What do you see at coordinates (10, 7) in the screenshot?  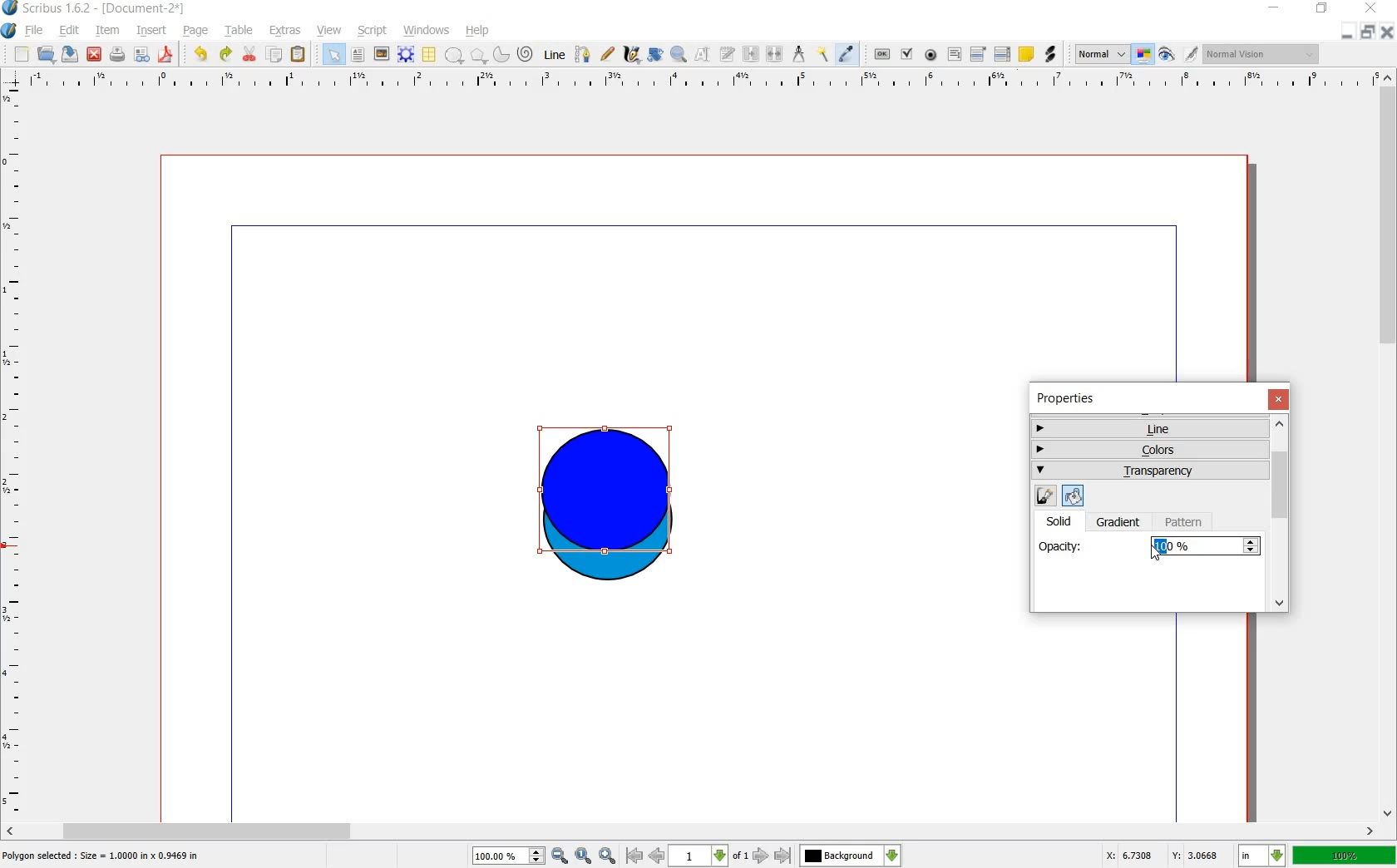 I see `logo` at bounding box center [10, 7].